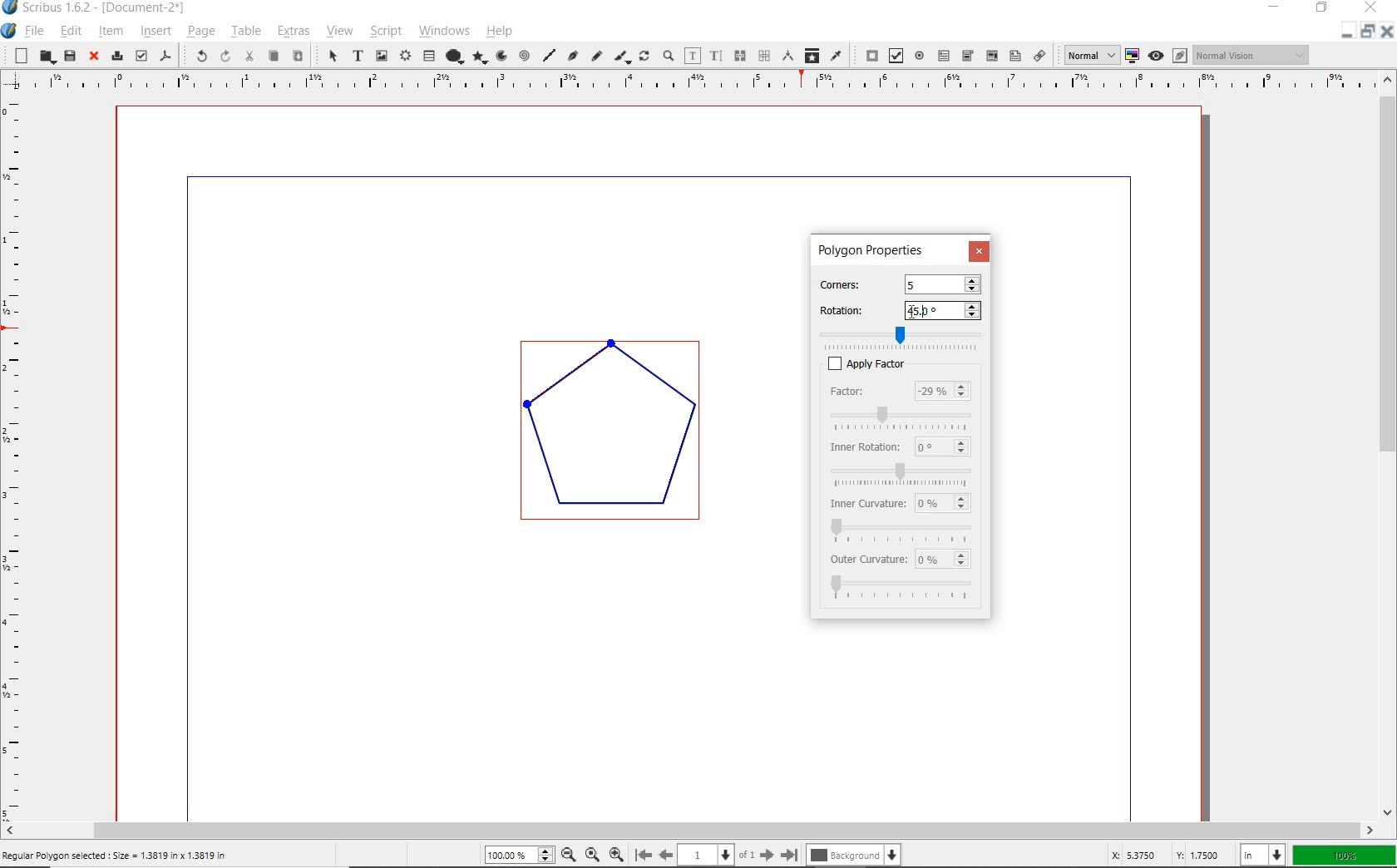 This screenshot has width=1397, height=868. Describe the element at coordinates (921, 56) in the screenshot. I see `pdf radio button` at that location.